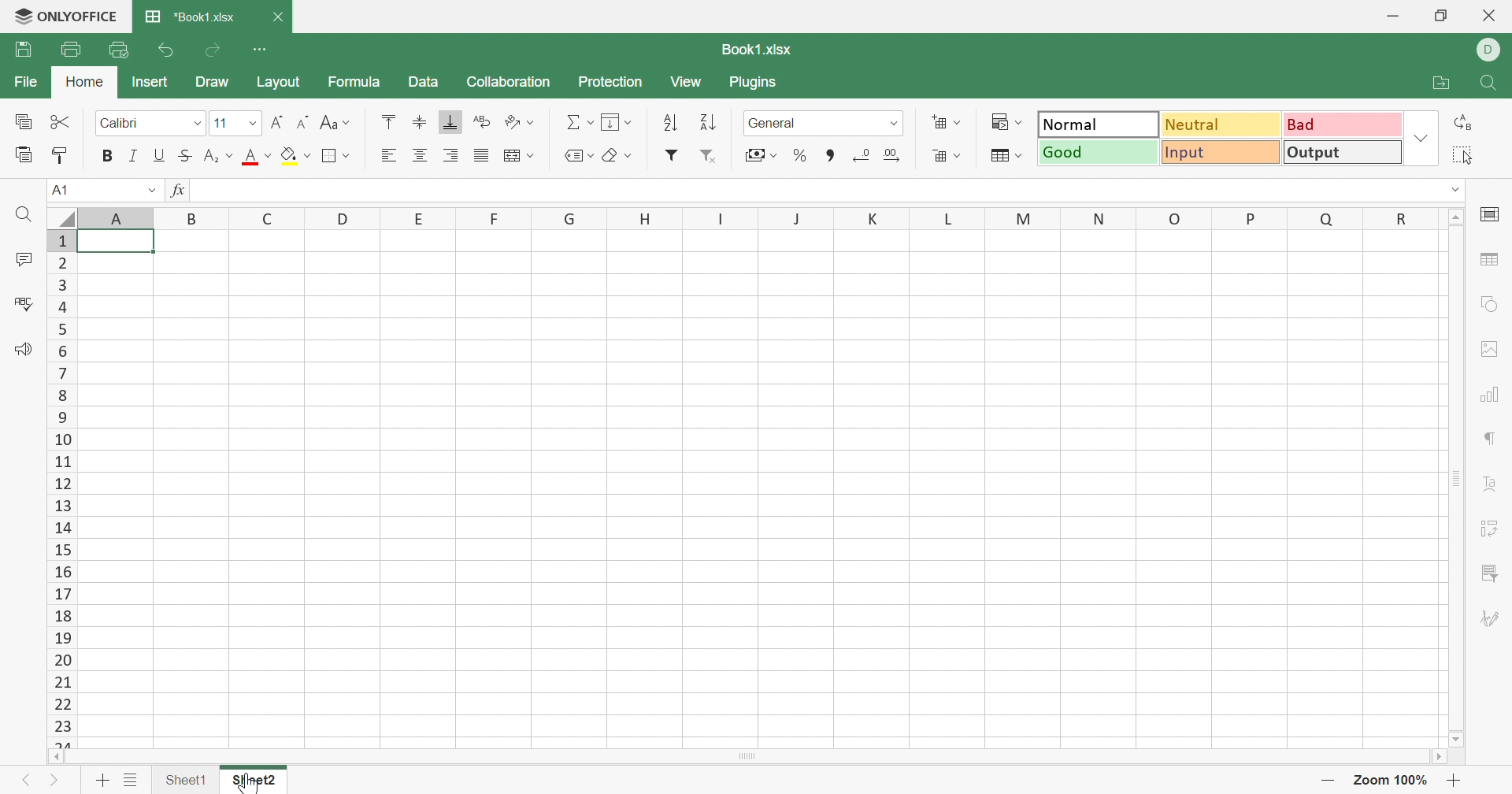 This screenshot has height=794, width=1512. What do you see at coordinates (279, 83) in the screenshot?
I see `Layout` at bounding box center [279, 83].